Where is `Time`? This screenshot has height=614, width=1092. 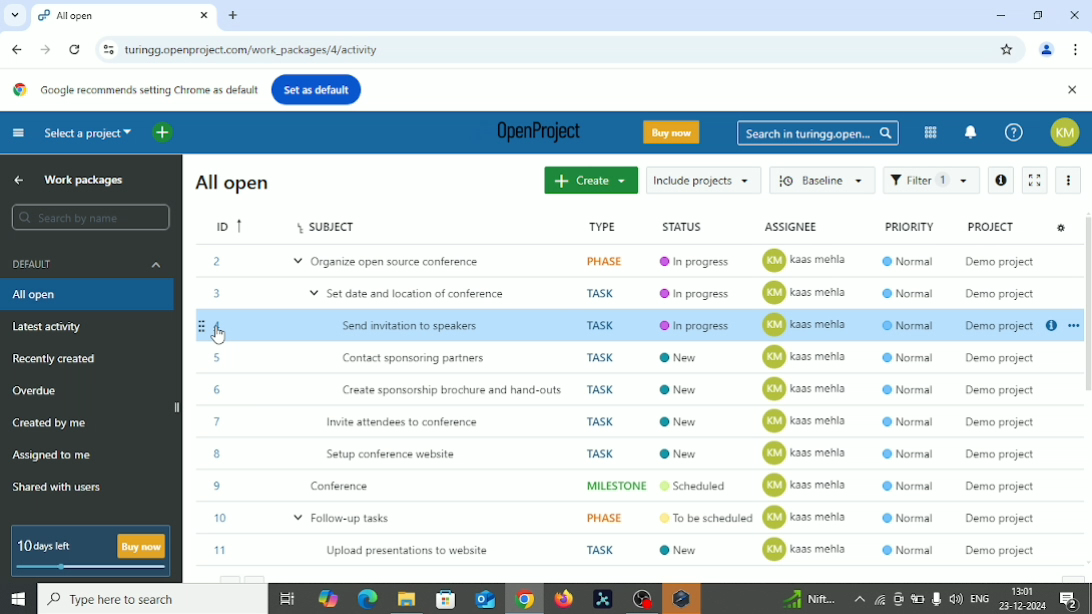 Time is located at coordinates (1024, 589).